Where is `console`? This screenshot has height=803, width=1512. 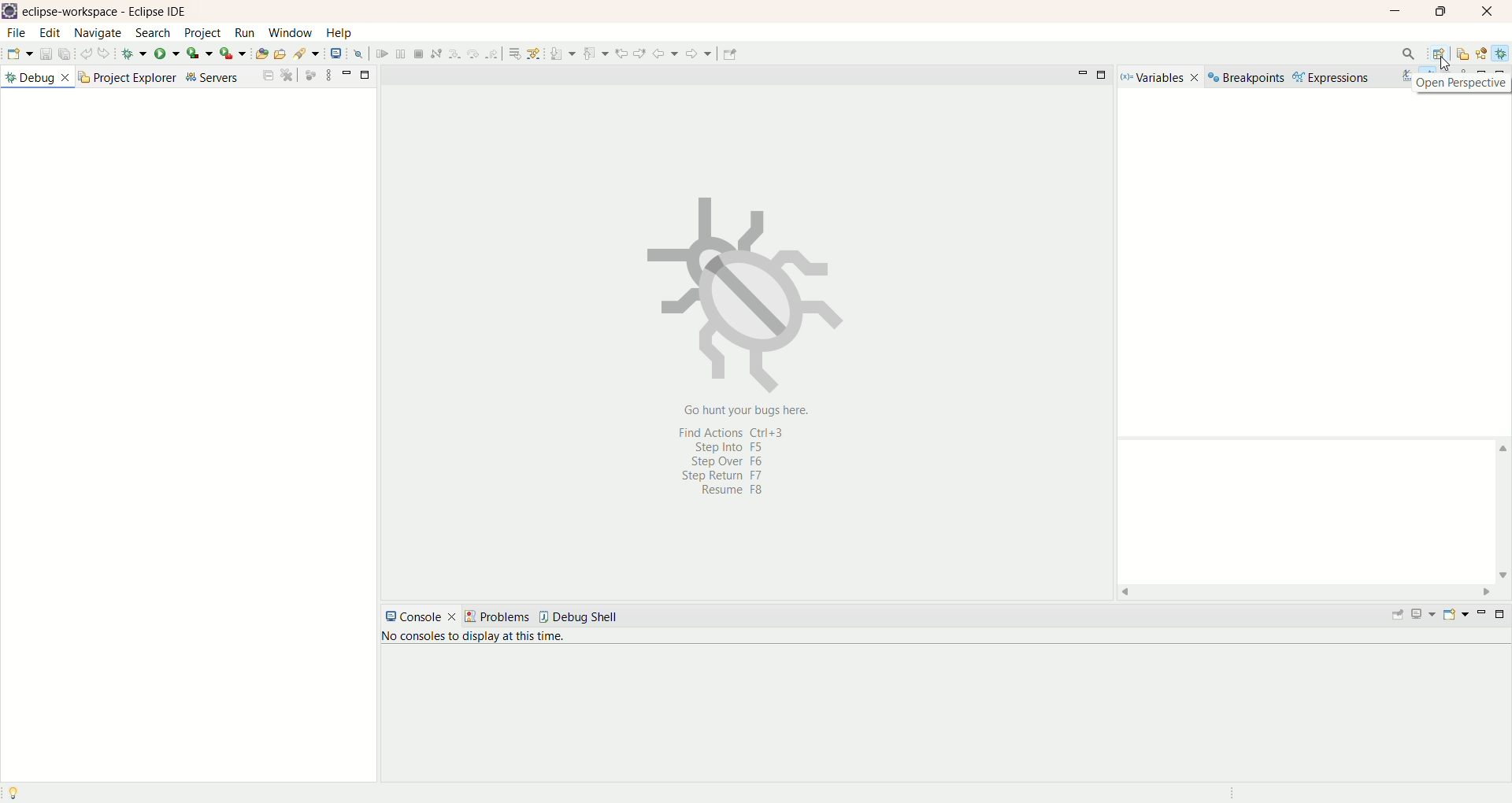 console is located at coordinates (423, 617).